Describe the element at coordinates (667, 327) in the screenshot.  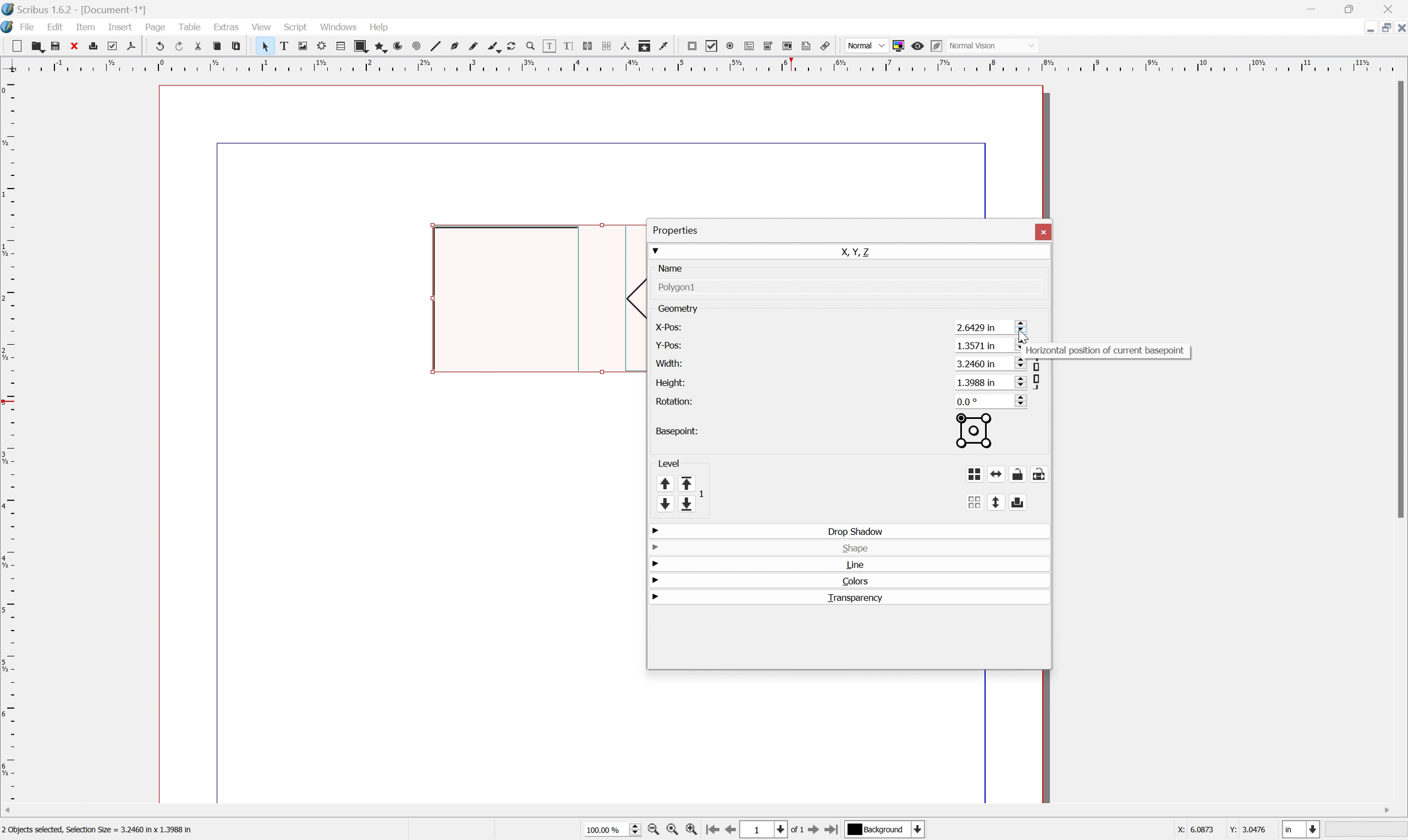
I see `x-pos` at that location.